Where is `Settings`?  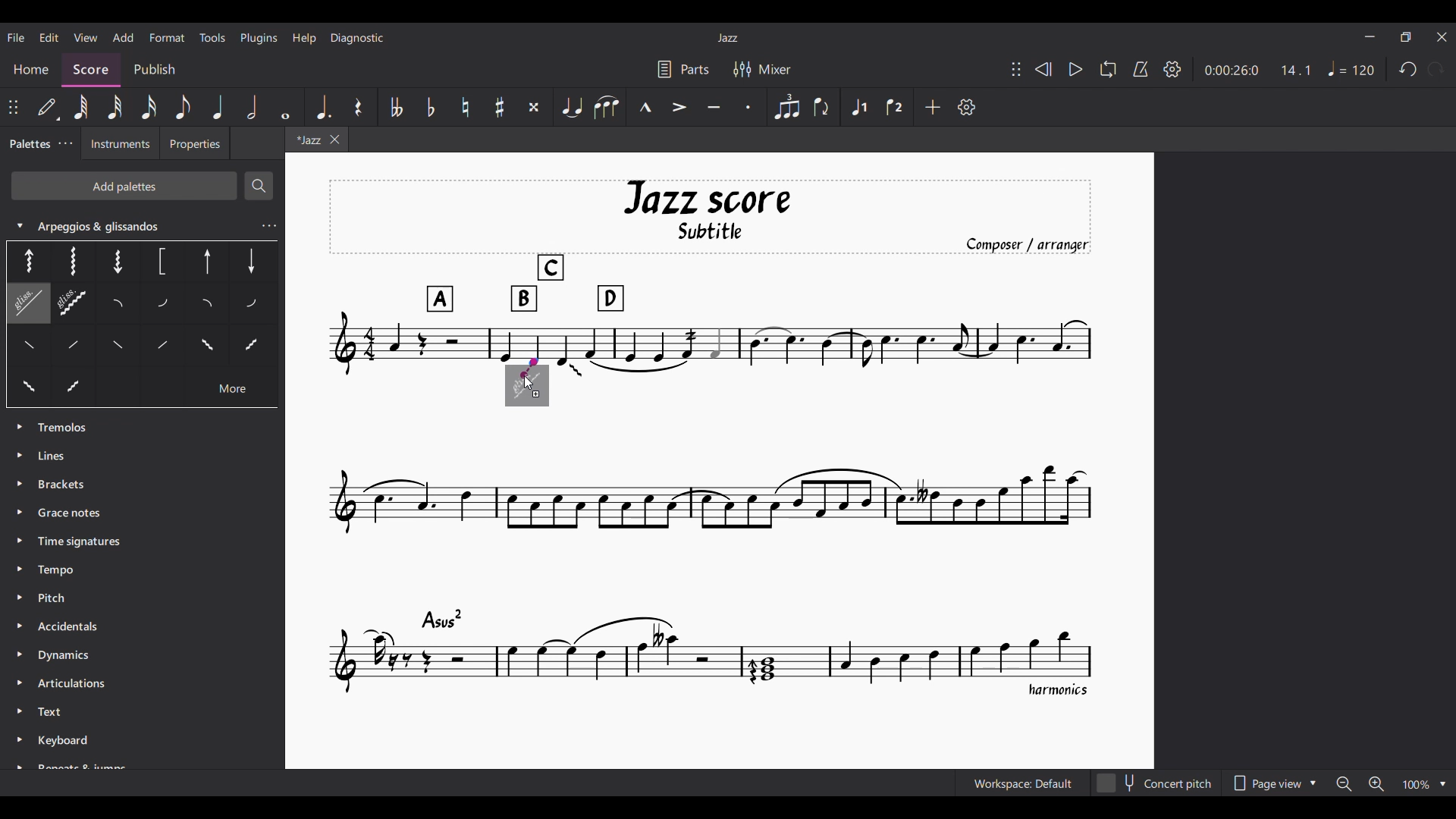 Settings is located at coordinates (1172, 69).